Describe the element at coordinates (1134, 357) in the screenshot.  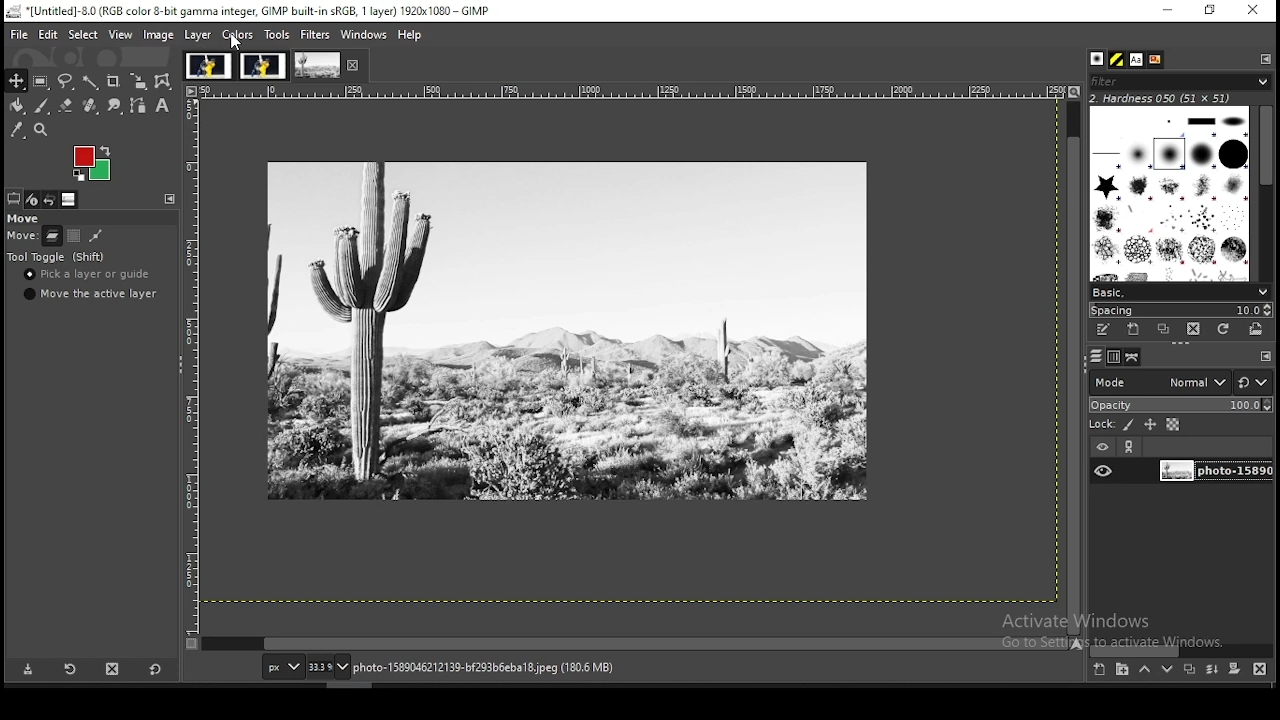
I see `paths` at that location.